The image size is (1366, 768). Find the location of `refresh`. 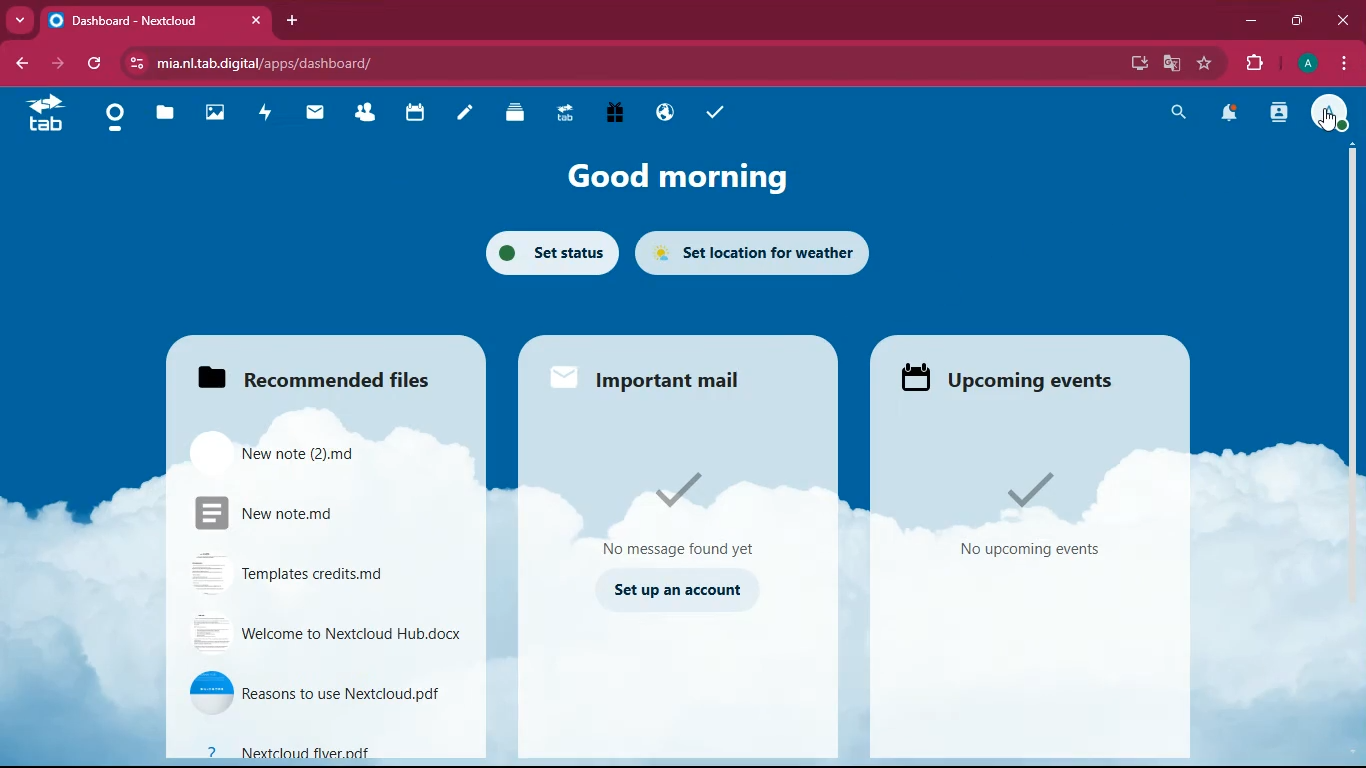

refresh is located at coordinates (91, 65).